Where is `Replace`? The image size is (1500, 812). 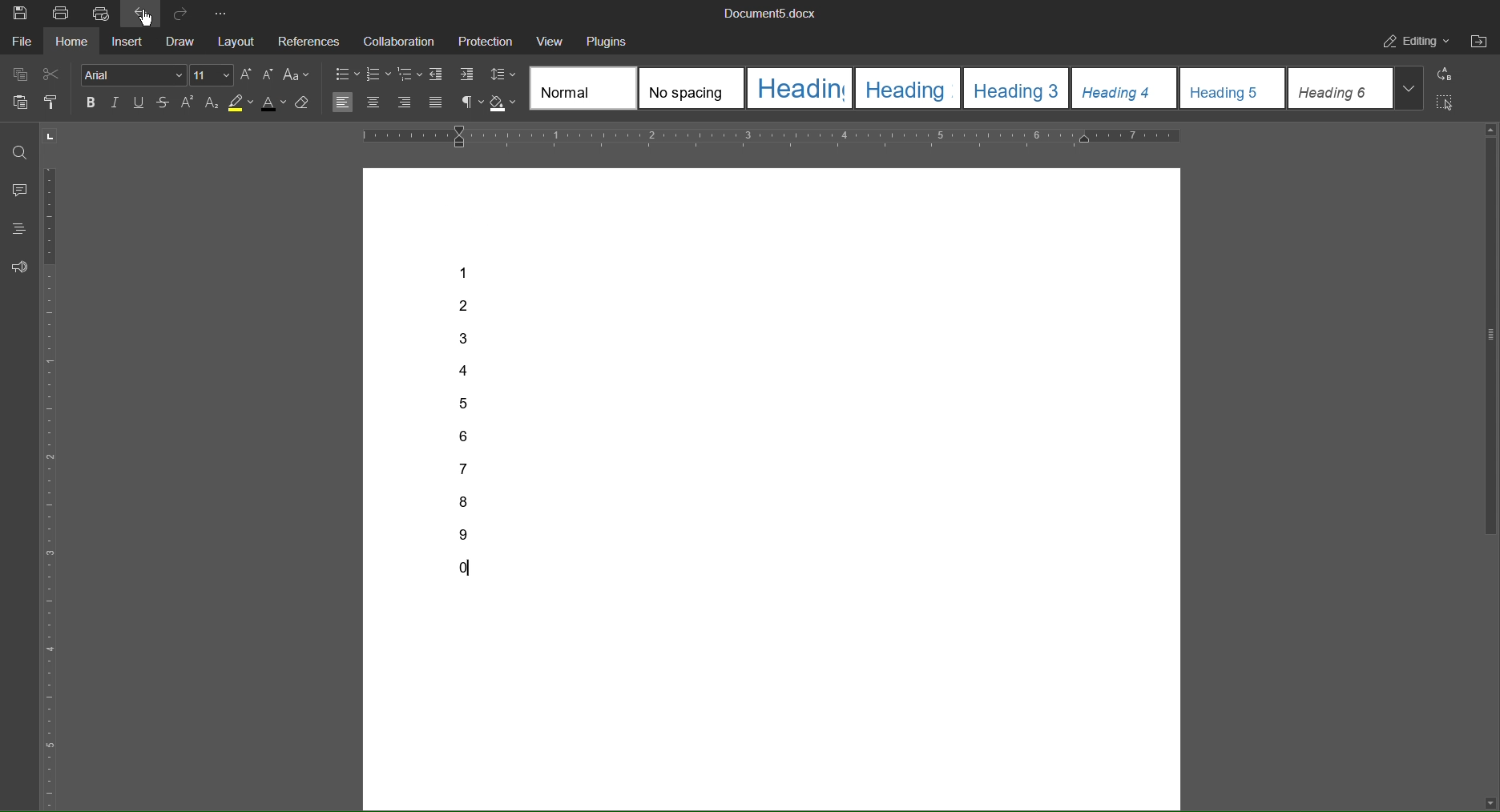 Replace is located at coordinates (1449, 74).